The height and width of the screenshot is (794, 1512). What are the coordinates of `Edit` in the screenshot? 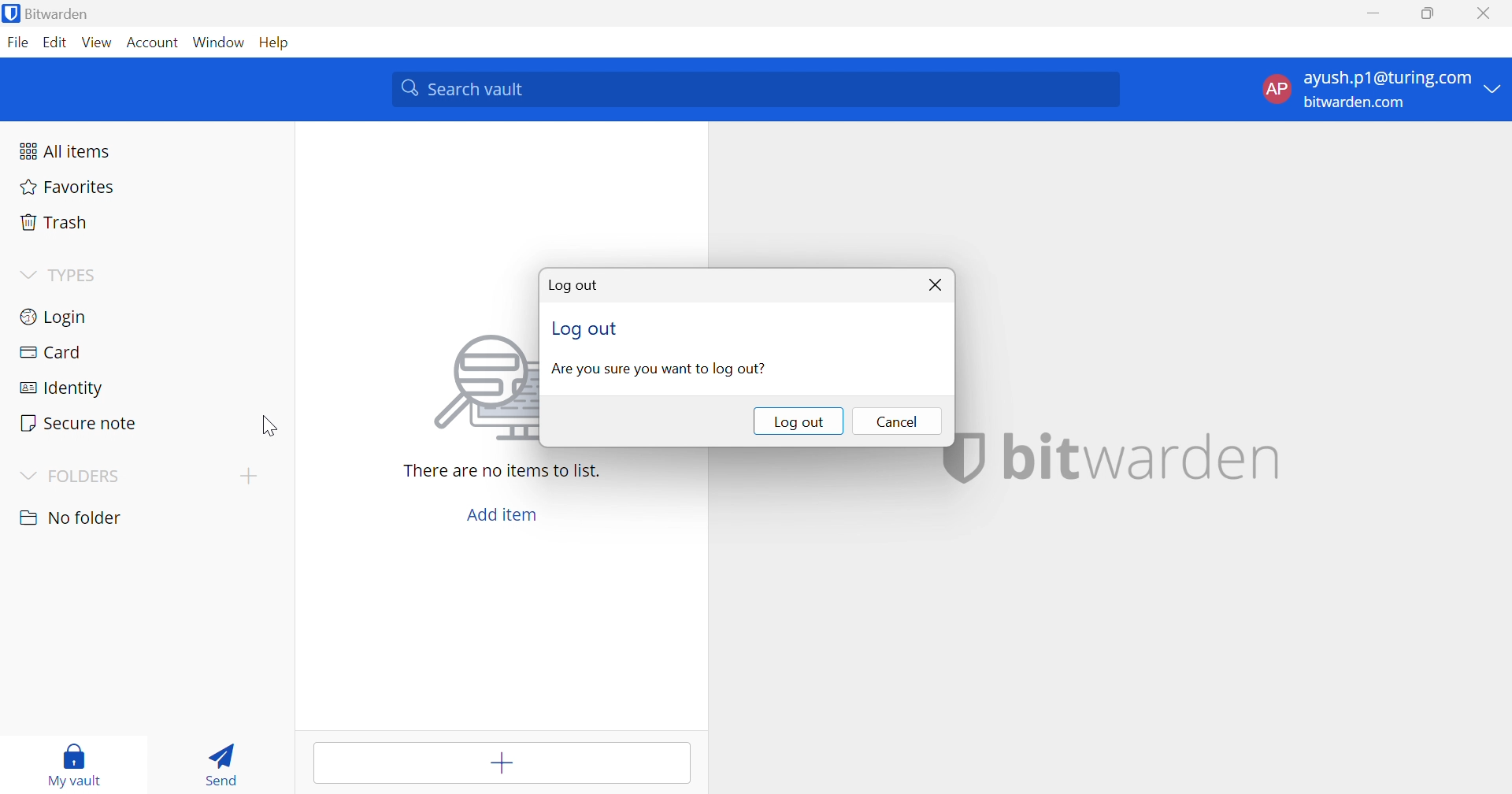 It's located at (57, 43).